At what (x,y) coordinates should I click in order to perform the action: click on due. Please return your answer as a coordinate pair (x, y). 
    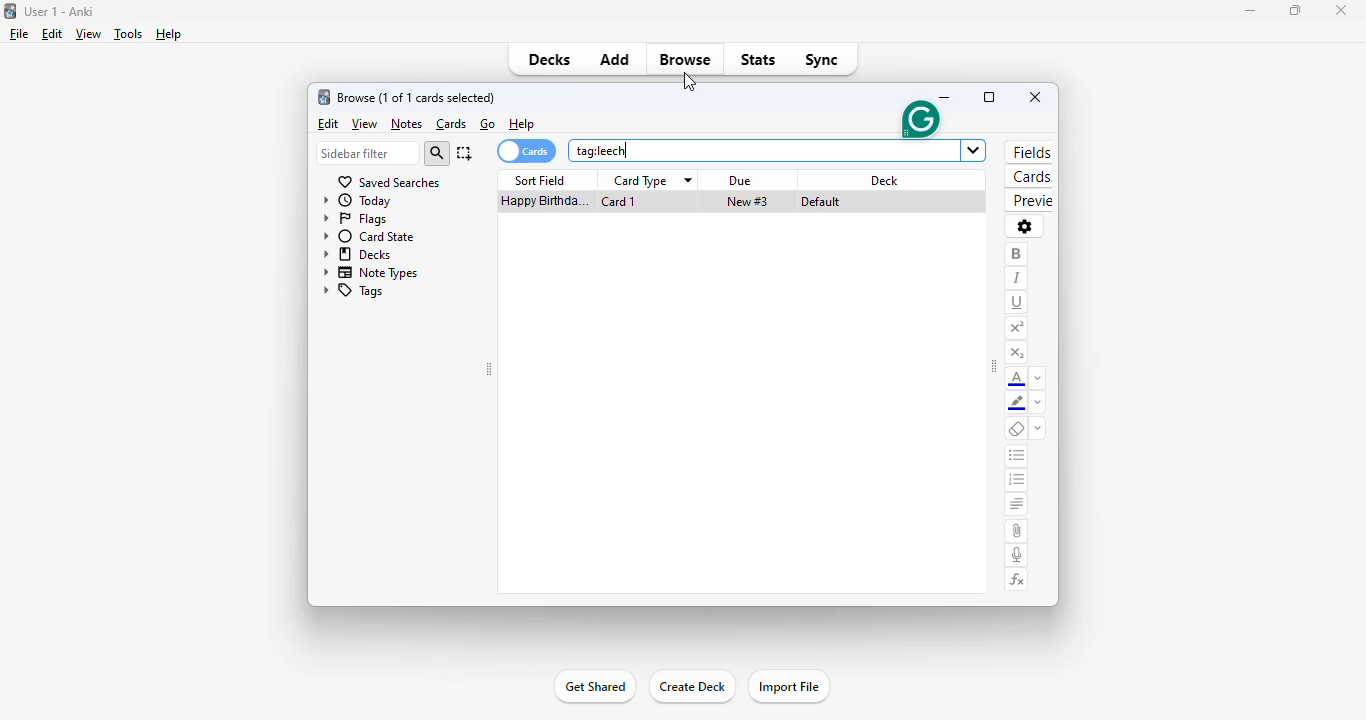
    Looking at the image, I should click on (739, 181).